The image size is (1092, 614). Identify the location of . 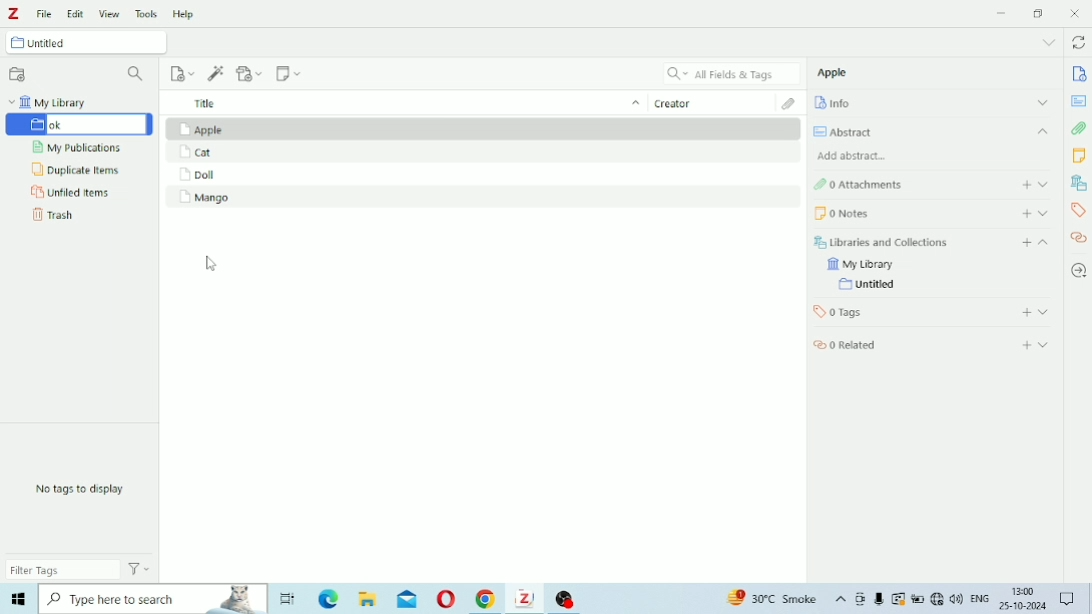
(850, 598).